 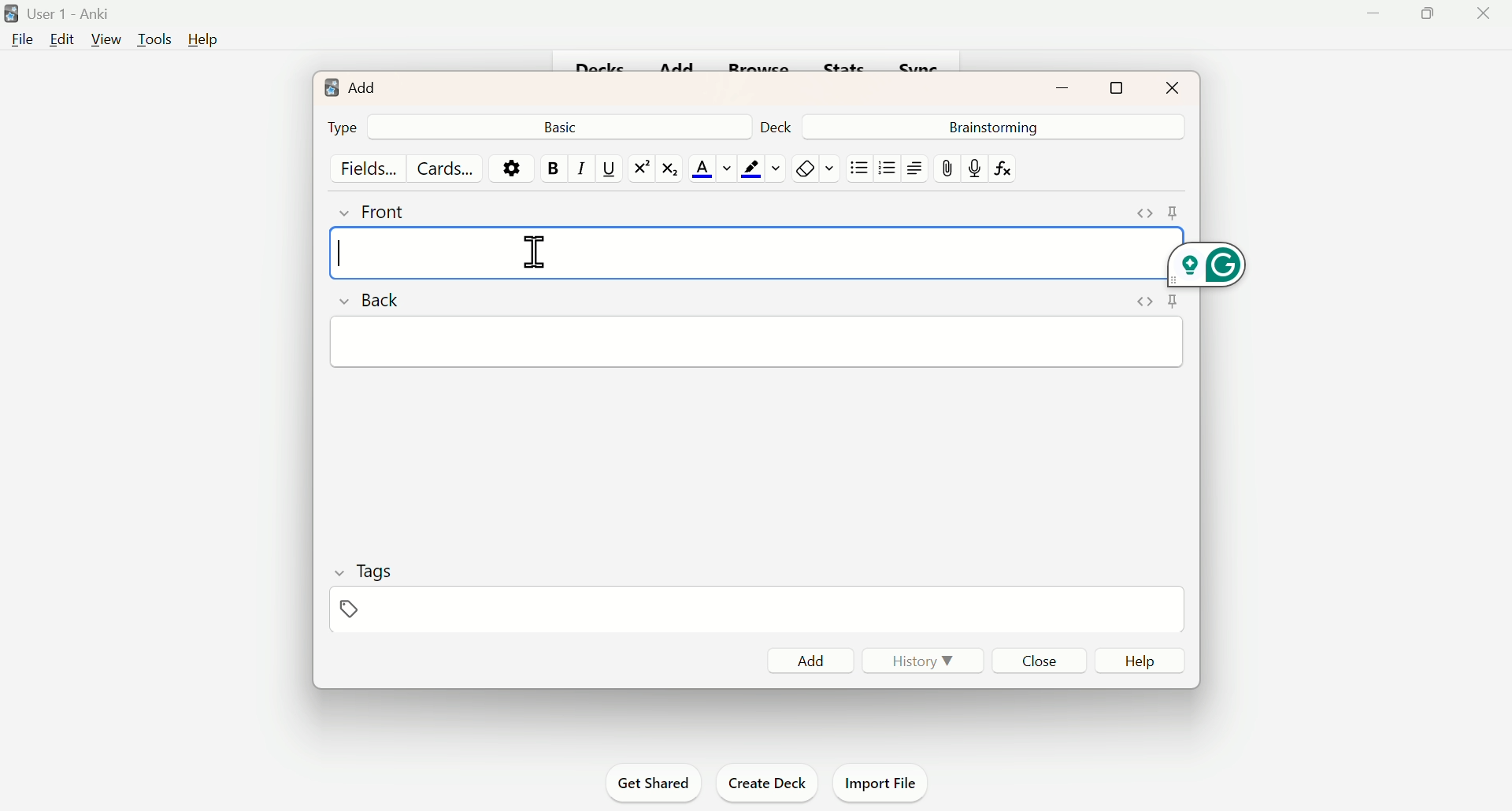 What do you see at coordinates (659, 783) in the screenshot?
I see `Get Shared` at bounding box center [659, 783].